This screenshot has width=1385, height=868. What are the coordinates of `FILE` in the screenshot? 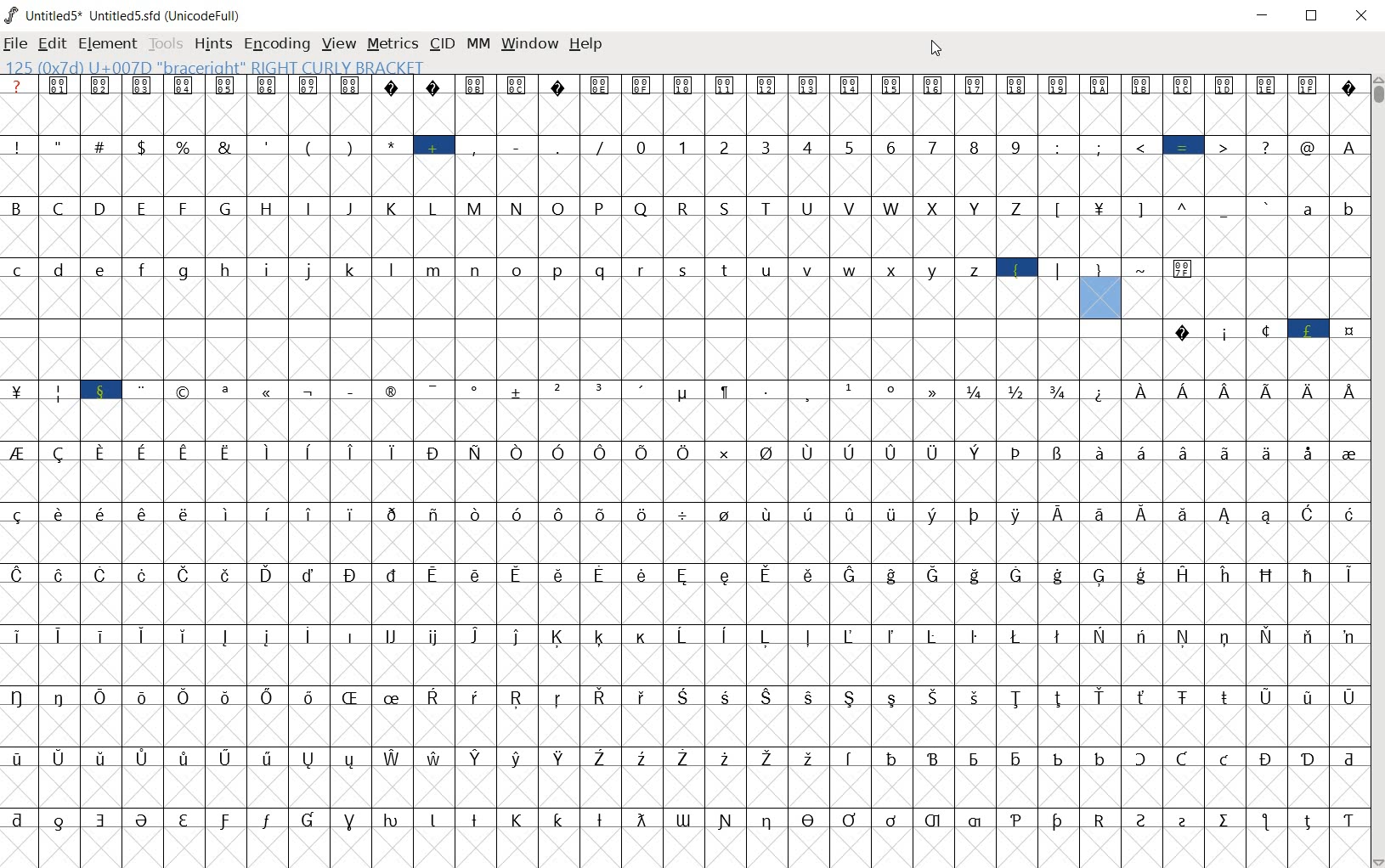 It's located at (16, 45).